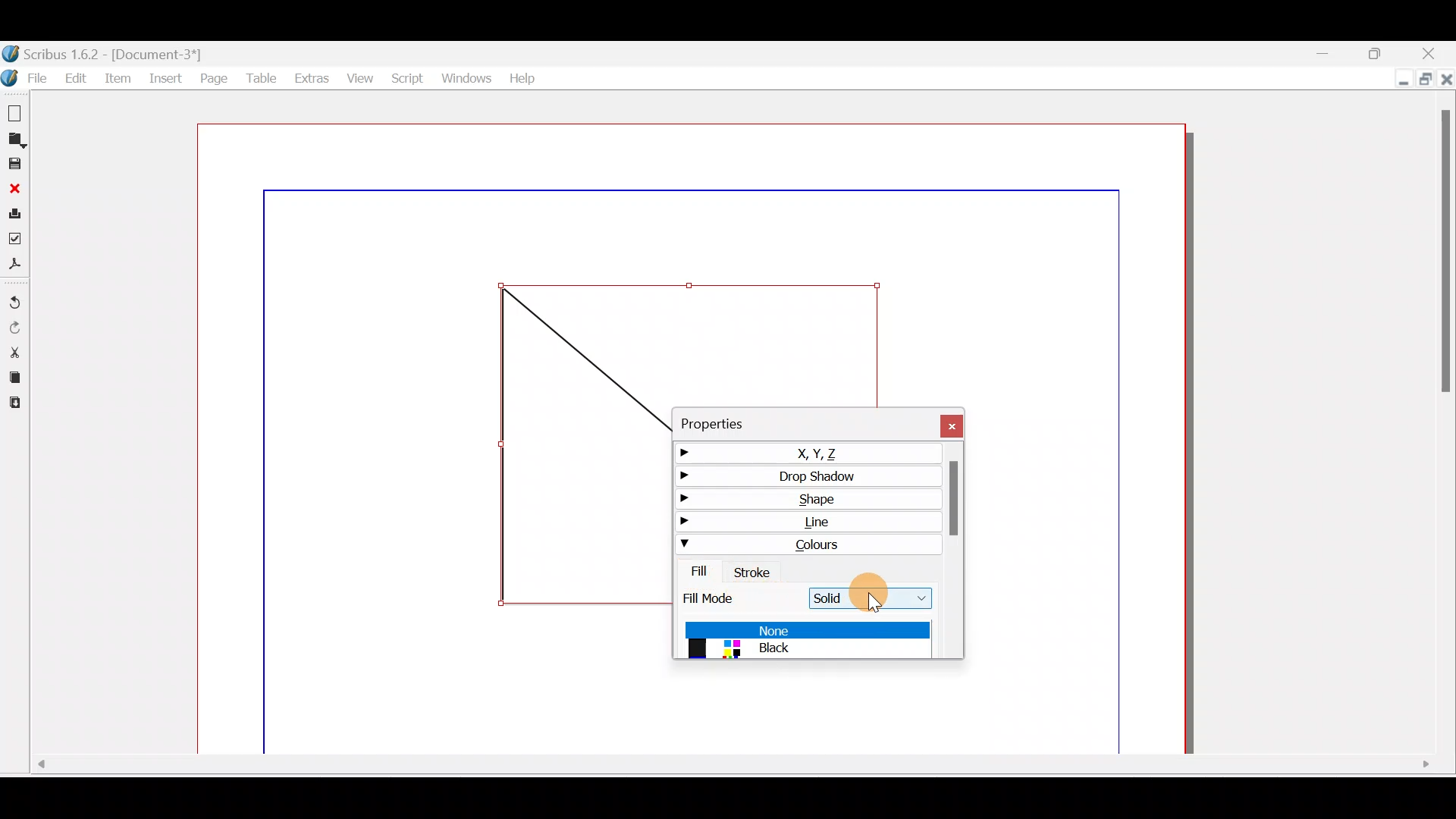 This screenshot has height=819, width=1456. What do you see at coordinates (17, 297) in the screenshot?
I see `Undo` at bounding box center [17, 297].